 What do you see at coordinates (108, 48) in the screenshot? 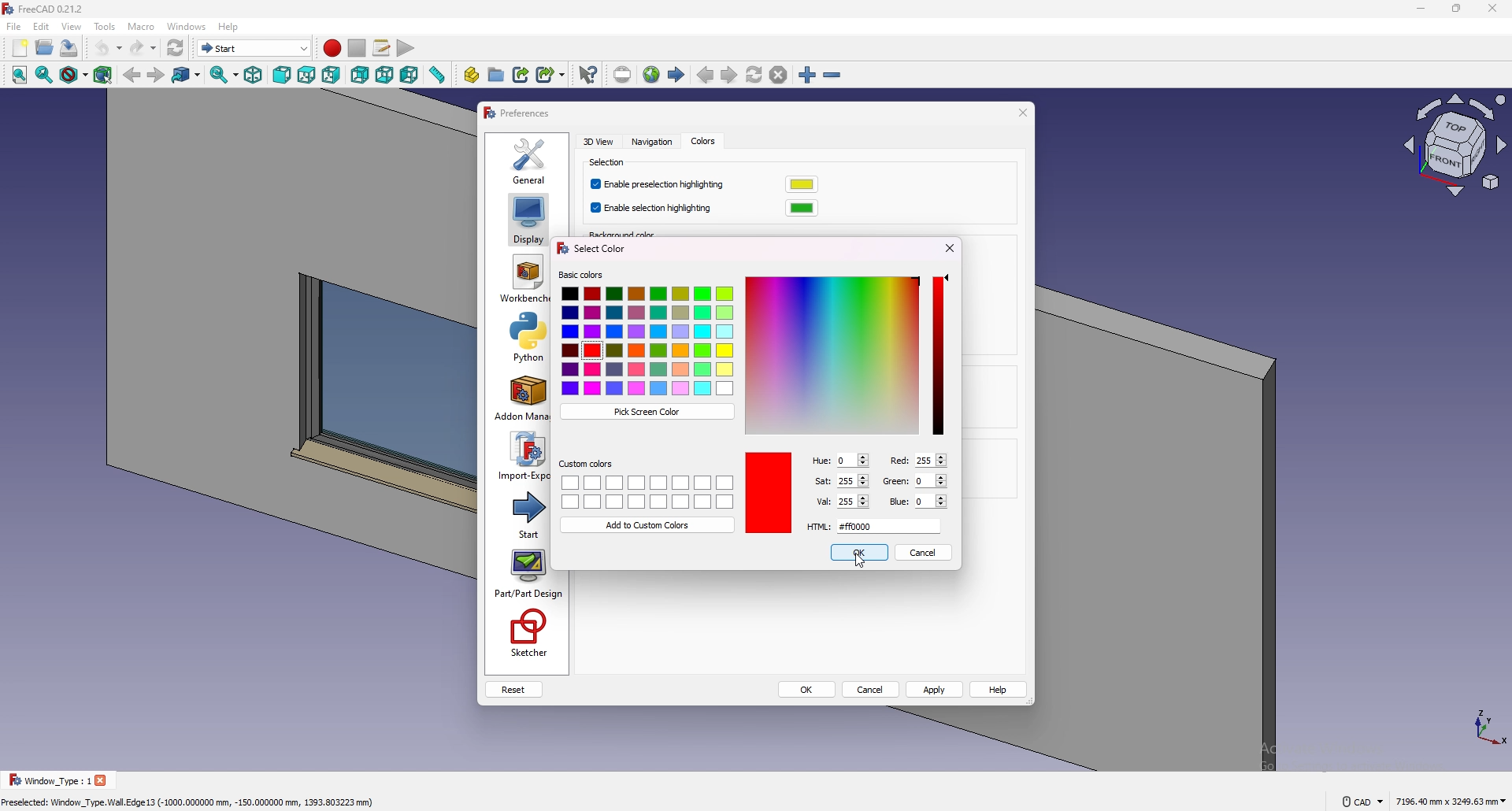
I see `undo` at bounding box center [108, 48].